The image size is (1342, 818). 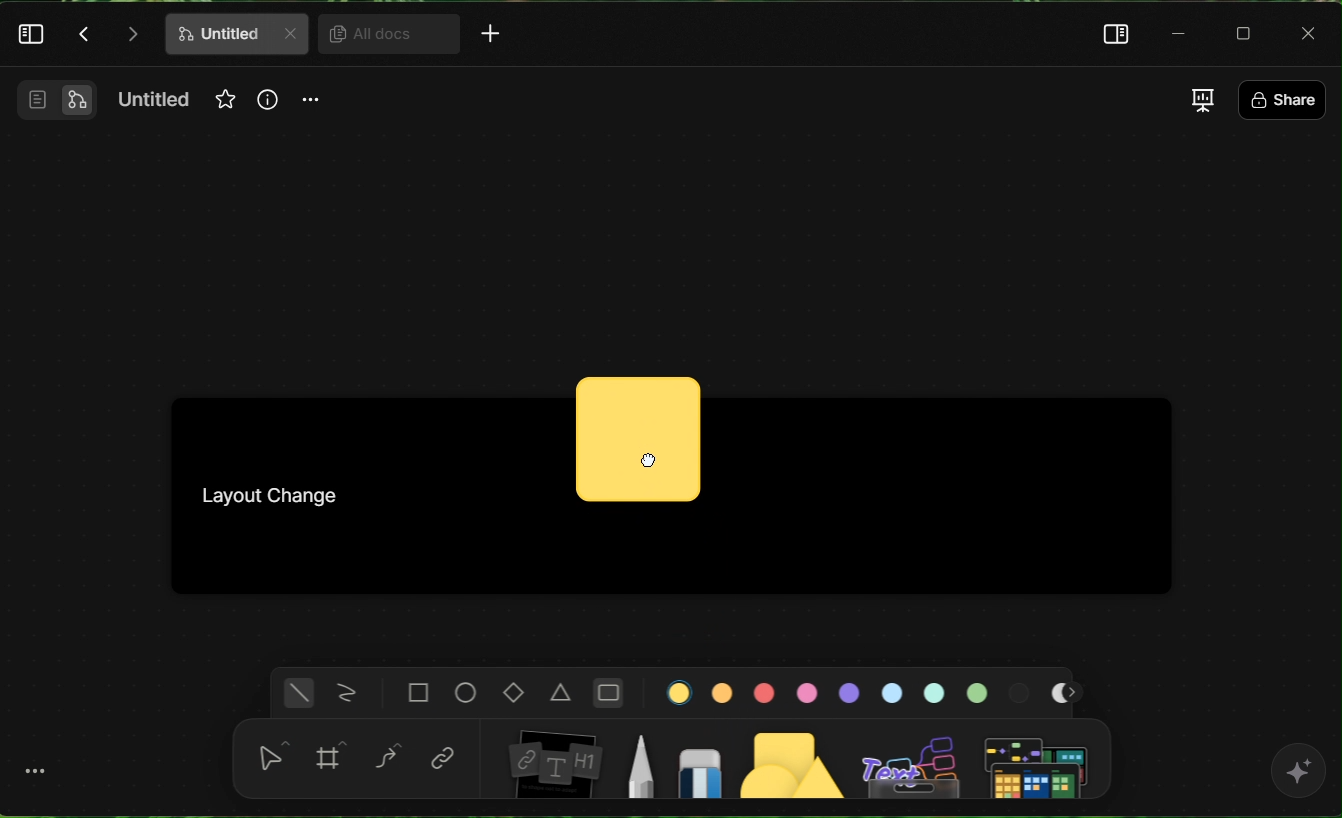 What do you see at coordinates (35, 771) in the screenshot?
I see `more` at bounding box center [35, 771].